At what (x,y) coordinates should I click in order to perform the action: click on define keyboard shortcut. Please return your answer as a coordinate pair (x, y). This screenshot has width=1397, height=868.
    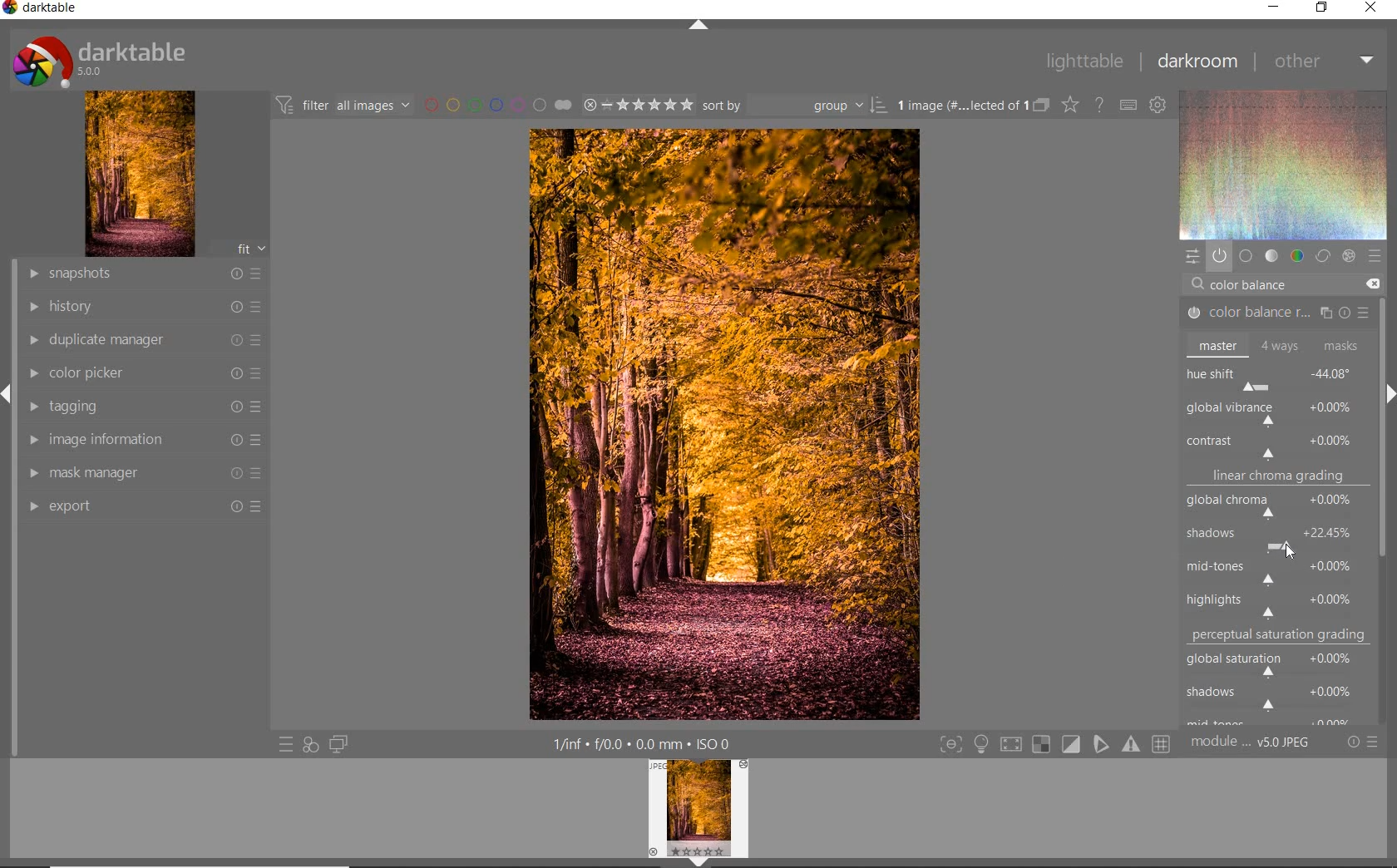
    Looking at the image, I should click on (1128, 106).